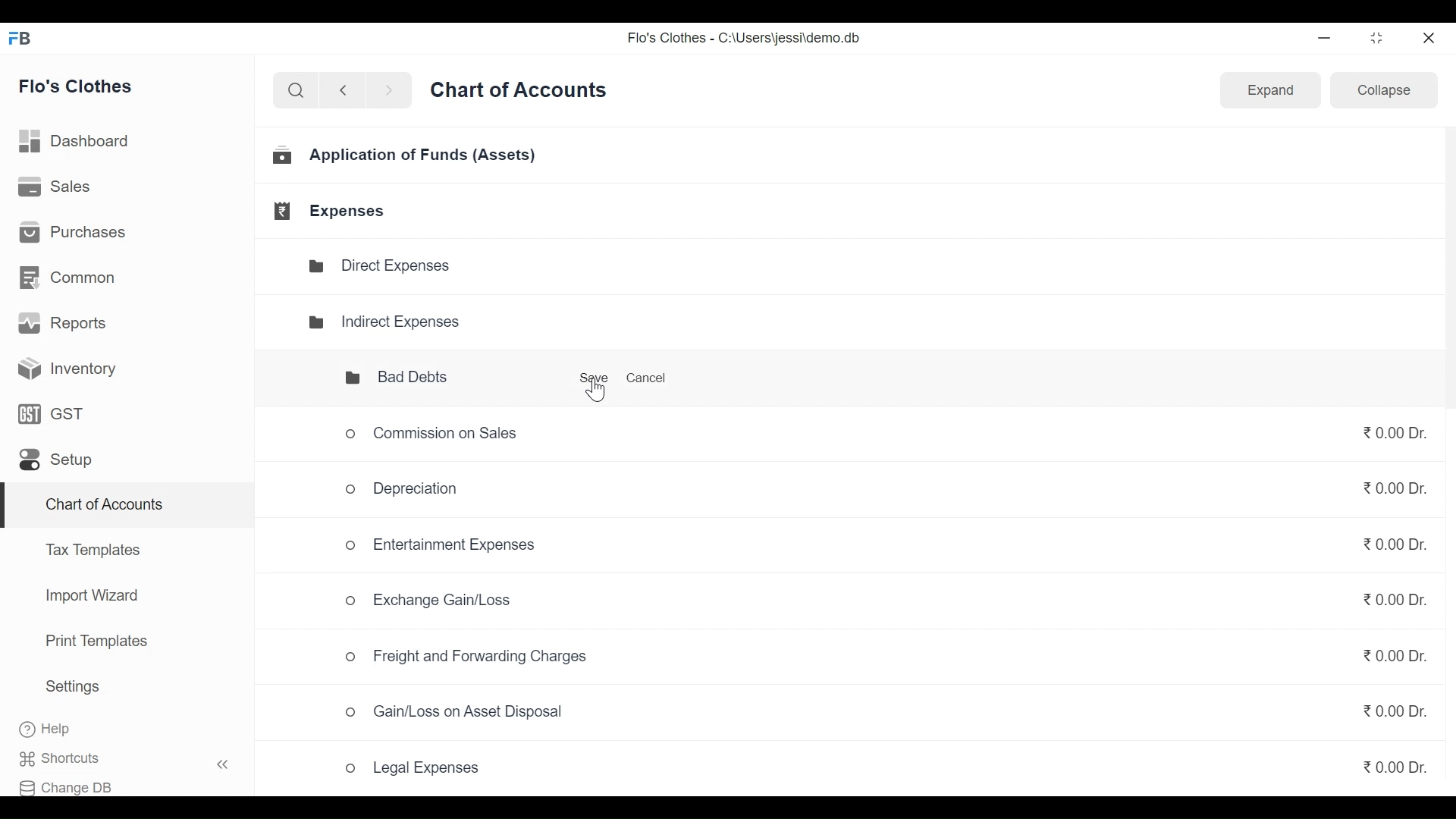 This screenshot has width=1456, height=819. I want to click on Save, so click(588, 378).